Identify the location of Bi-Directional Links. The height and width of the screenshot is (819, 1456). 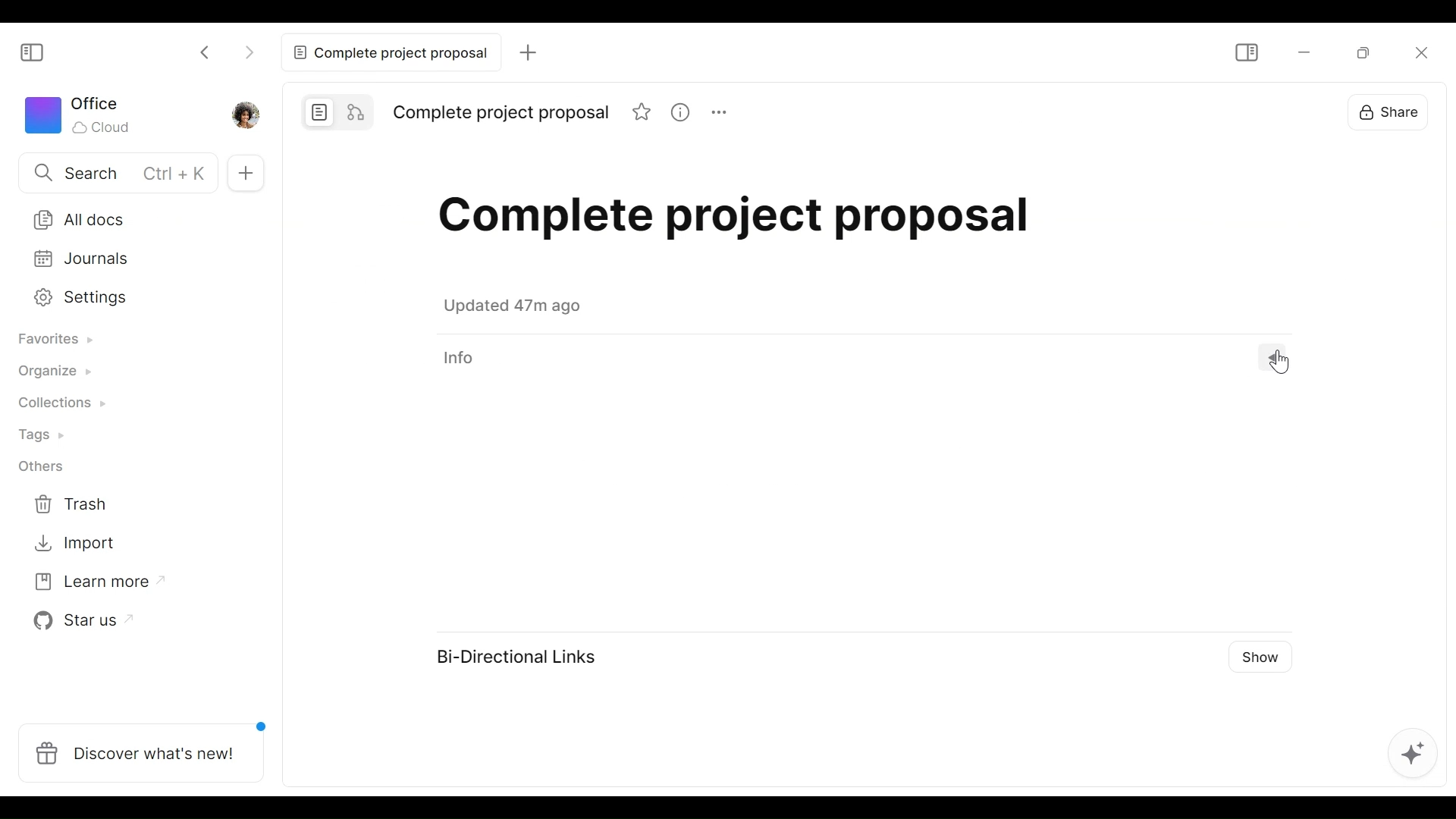
(519, 657).